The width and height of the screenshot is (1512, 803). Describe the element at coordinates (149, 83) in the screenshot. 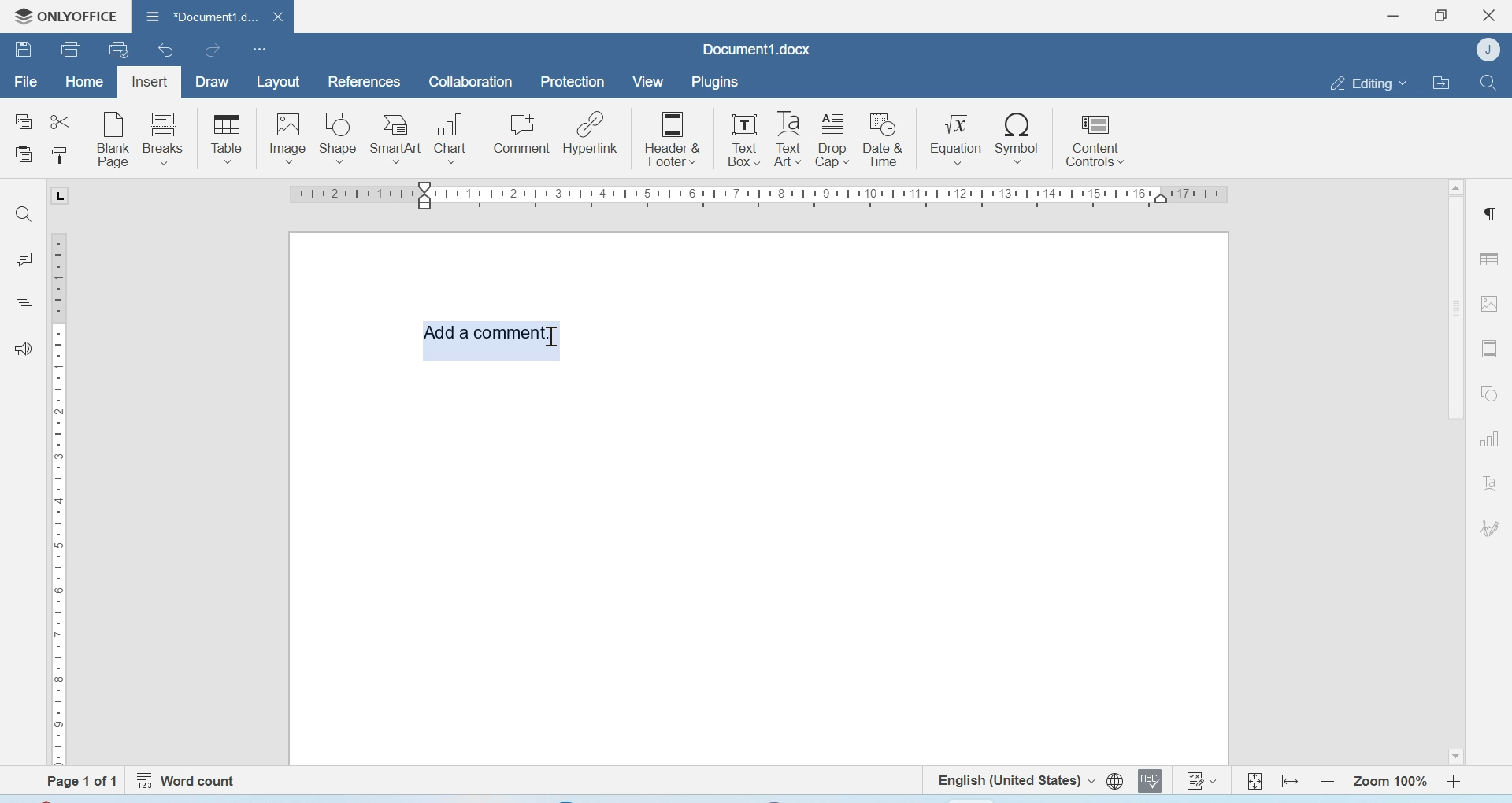

I see `Insert` at that location.